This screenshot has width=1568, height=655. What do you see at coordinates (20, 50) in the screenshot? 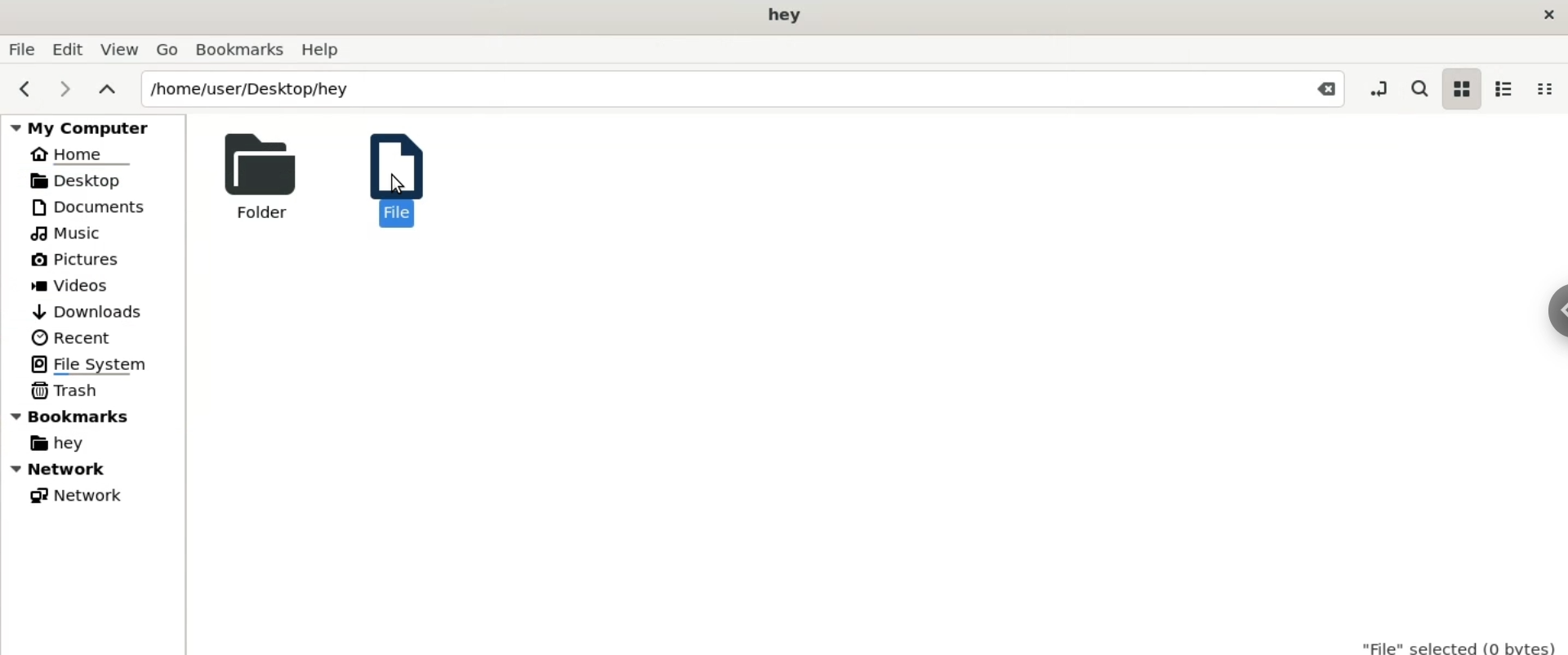
I see `file ` at bounding box center [20, 50].